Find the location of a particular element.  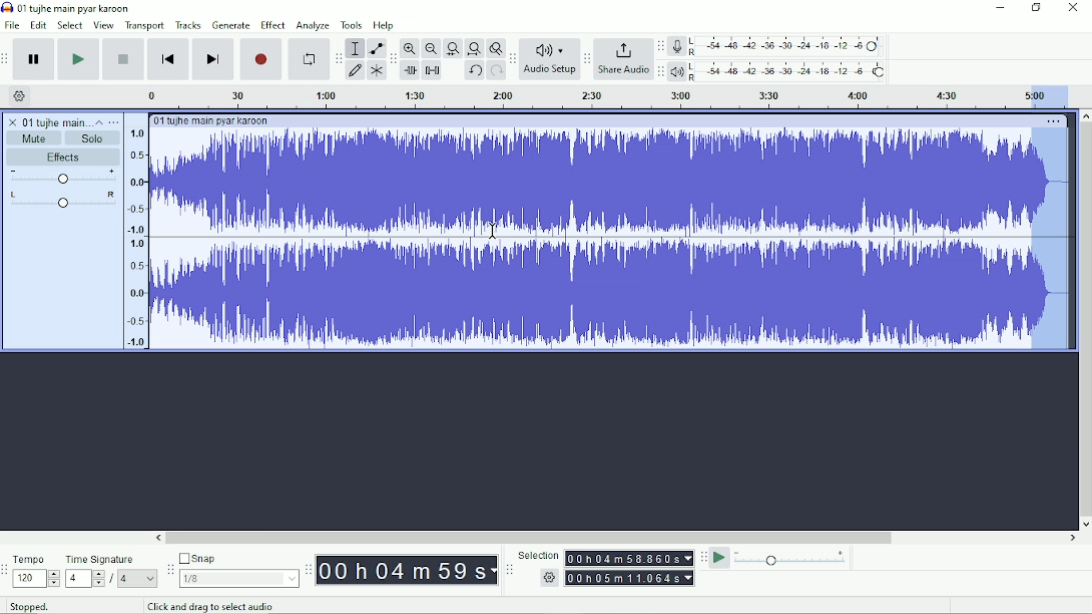

00h00m00.000s is located at coordinates (630, 578).